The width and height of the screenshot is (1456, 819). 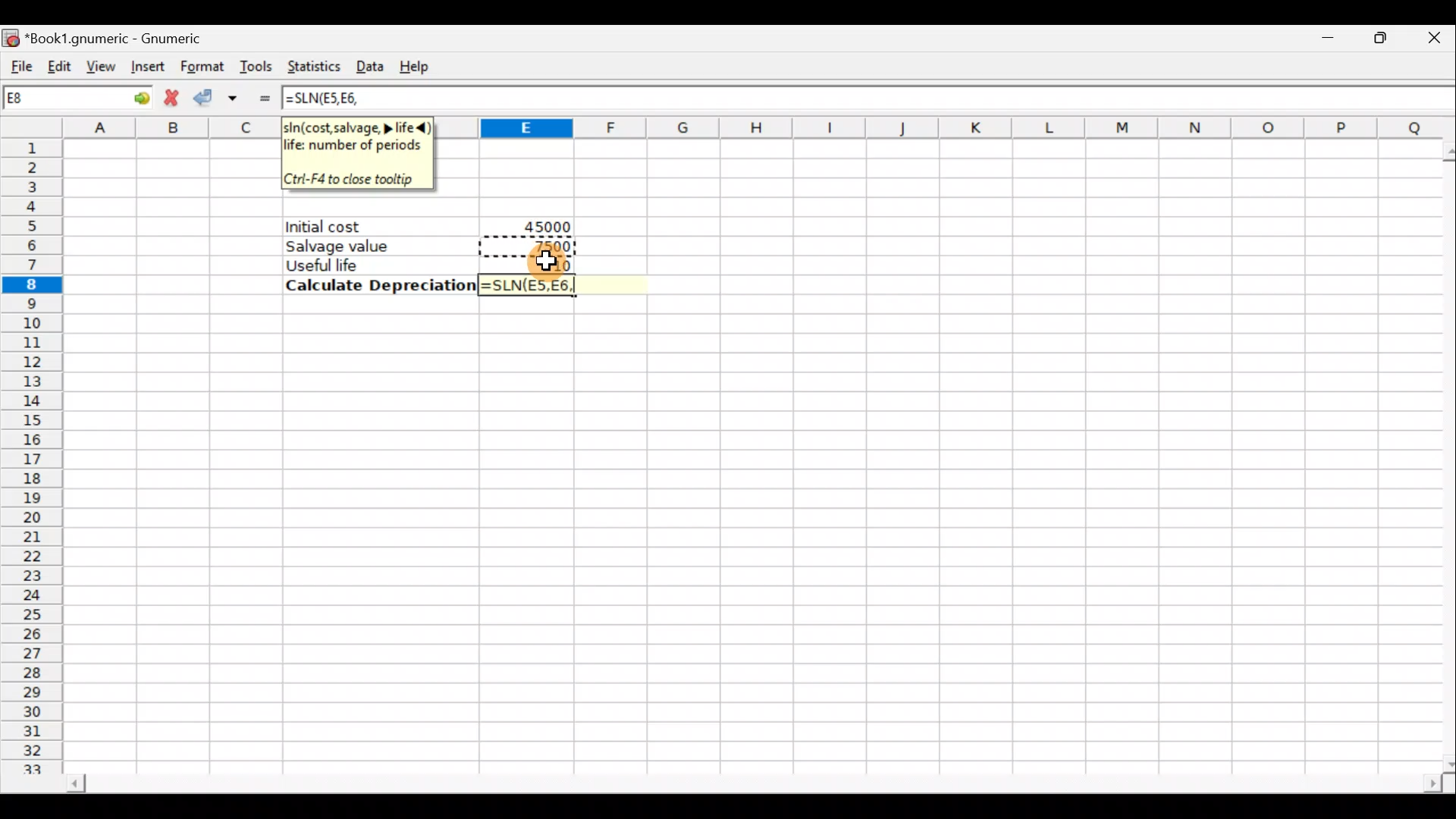 What do you see at coordinates (382, 227) in the screenshot?
I see `Initial cost` at bounding box center [382, 227].